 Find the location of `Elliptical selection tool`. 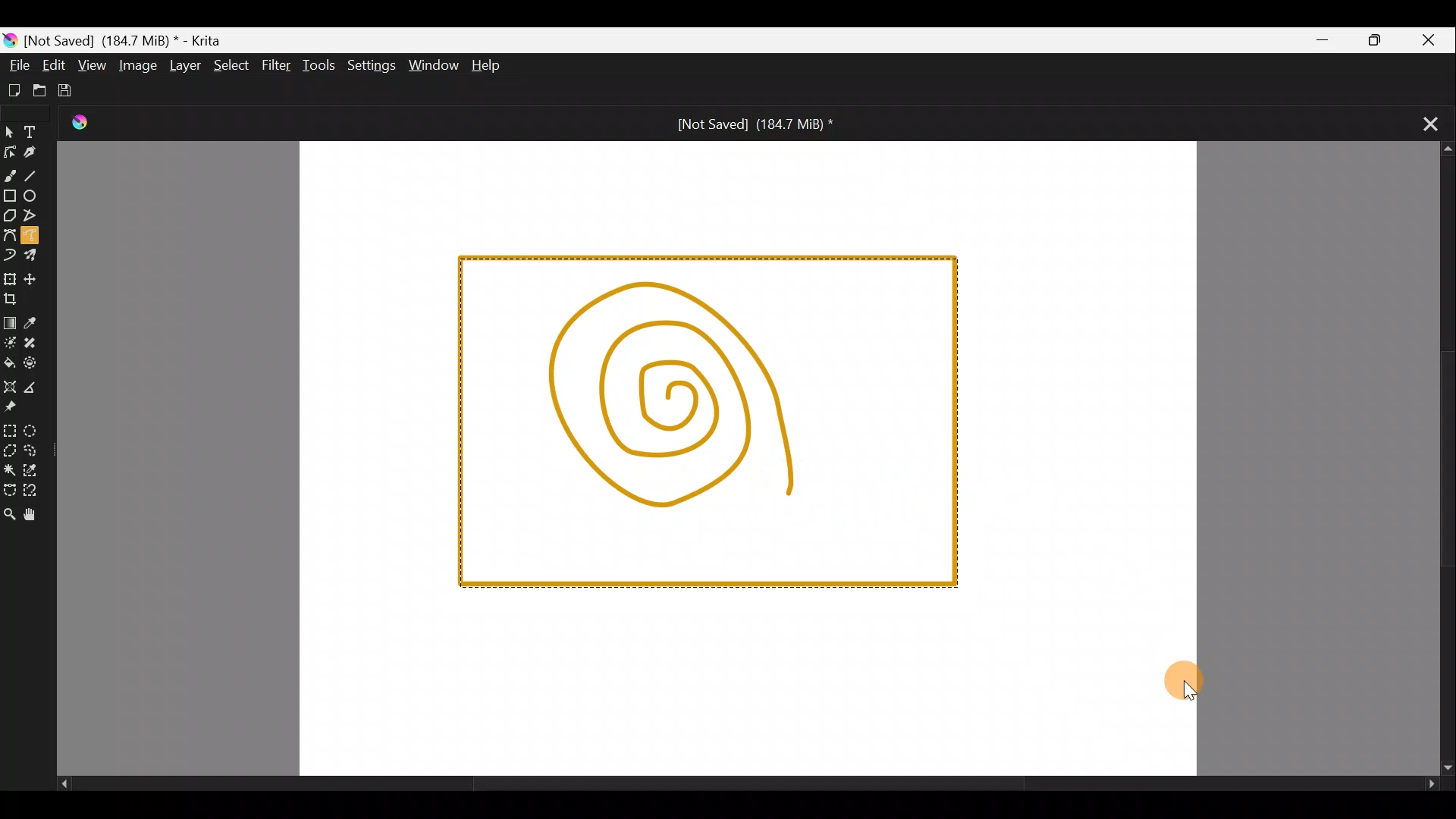

Elliptical selection tool is located at coordinates (37, 430).